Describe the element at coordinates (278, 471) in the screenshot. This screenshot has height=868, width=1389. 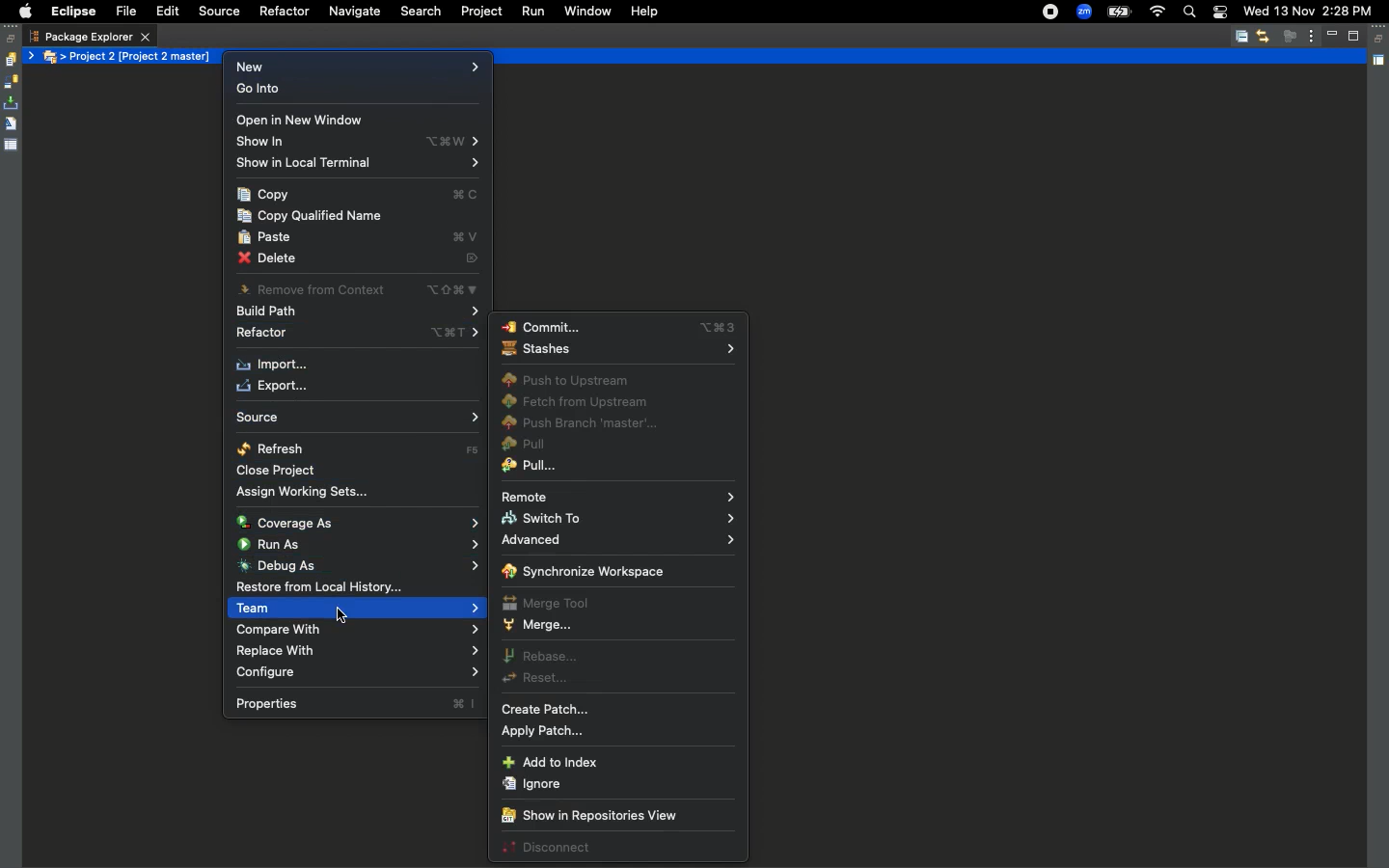
I see `Close project` at that location.